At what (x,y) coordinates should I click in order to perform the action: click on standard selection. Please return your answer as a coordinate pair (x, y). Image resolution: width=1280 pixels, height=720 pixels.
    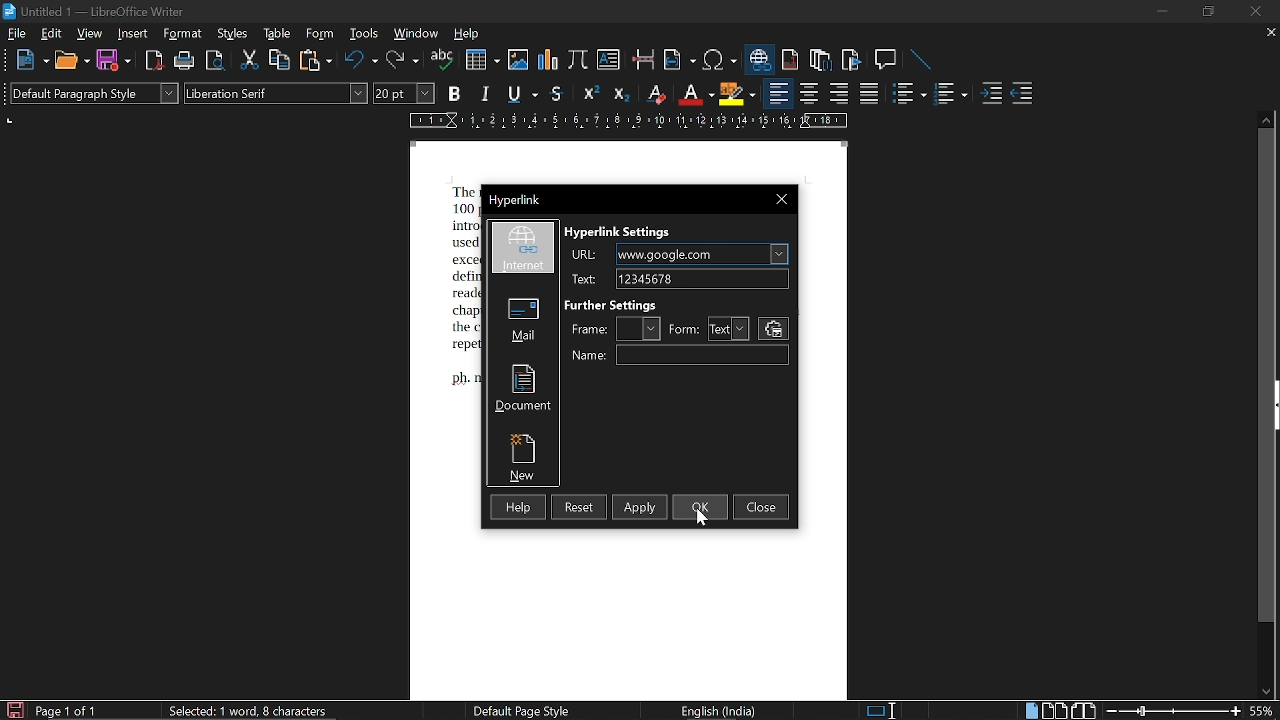
    Looking at the image, I should click on (880, 709).